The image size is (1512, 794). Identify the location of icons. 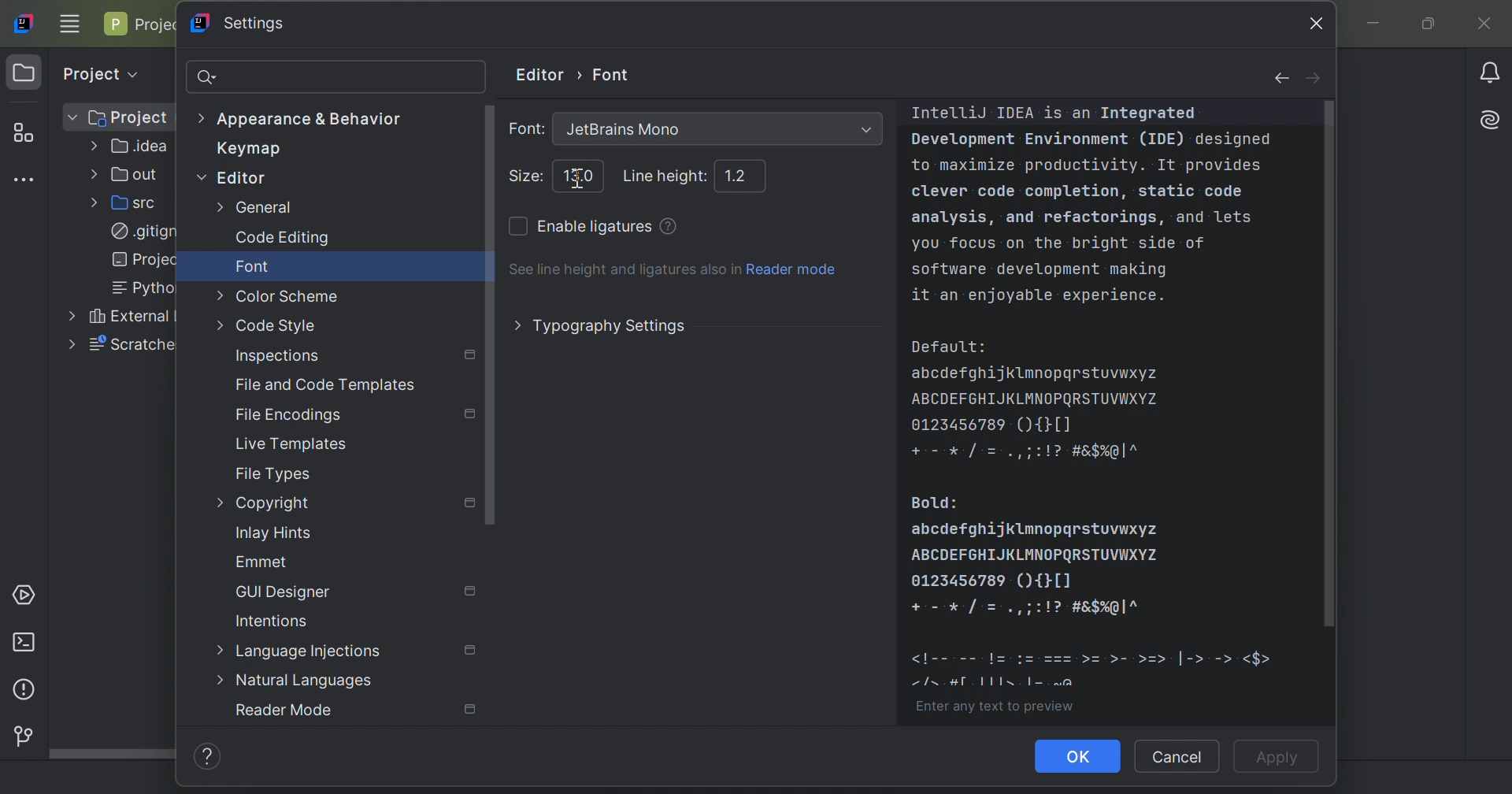
(1029, 609).